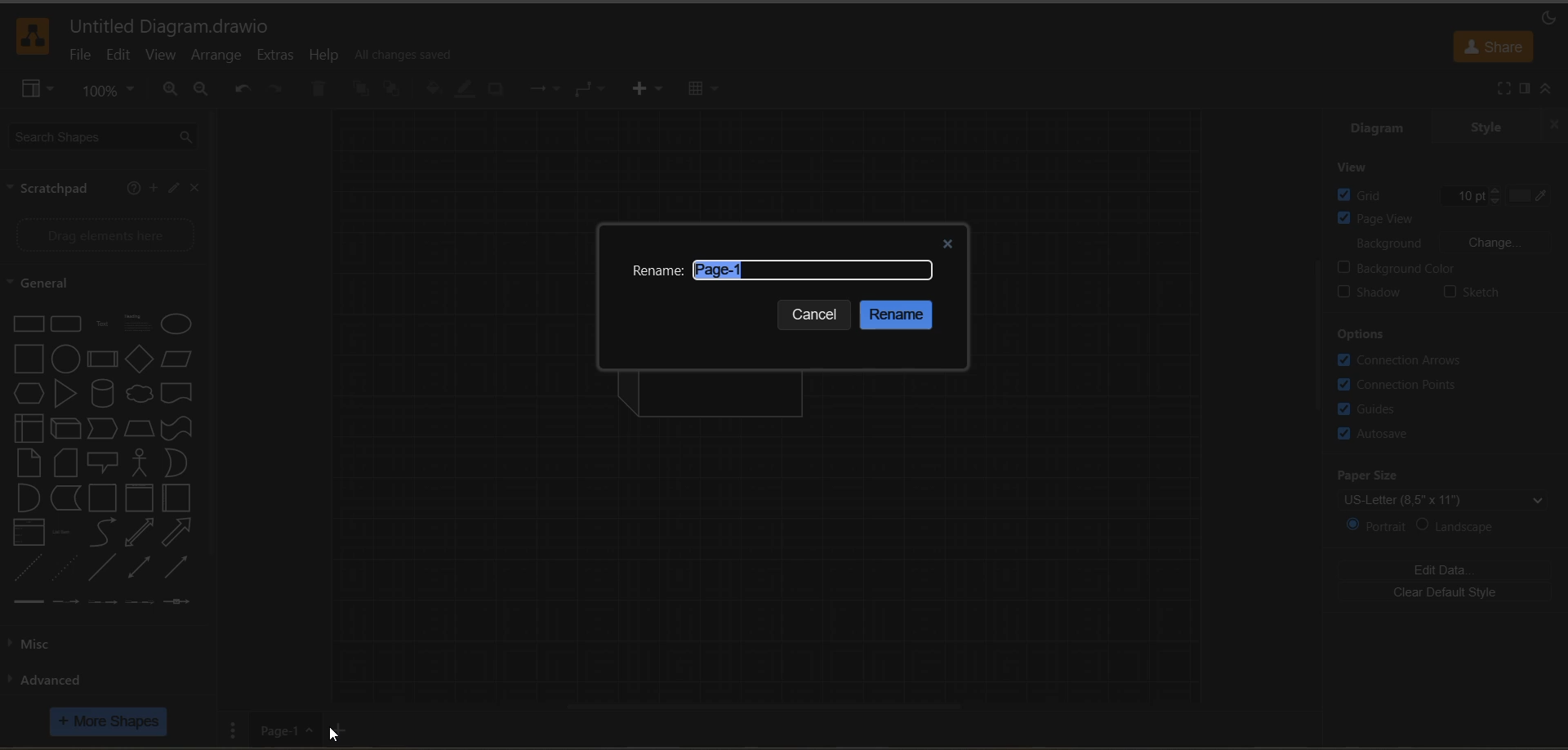  What do you see at coordinates (101, 460) in the screenshot?
I see `shapes` at bounding box center [101, 460].